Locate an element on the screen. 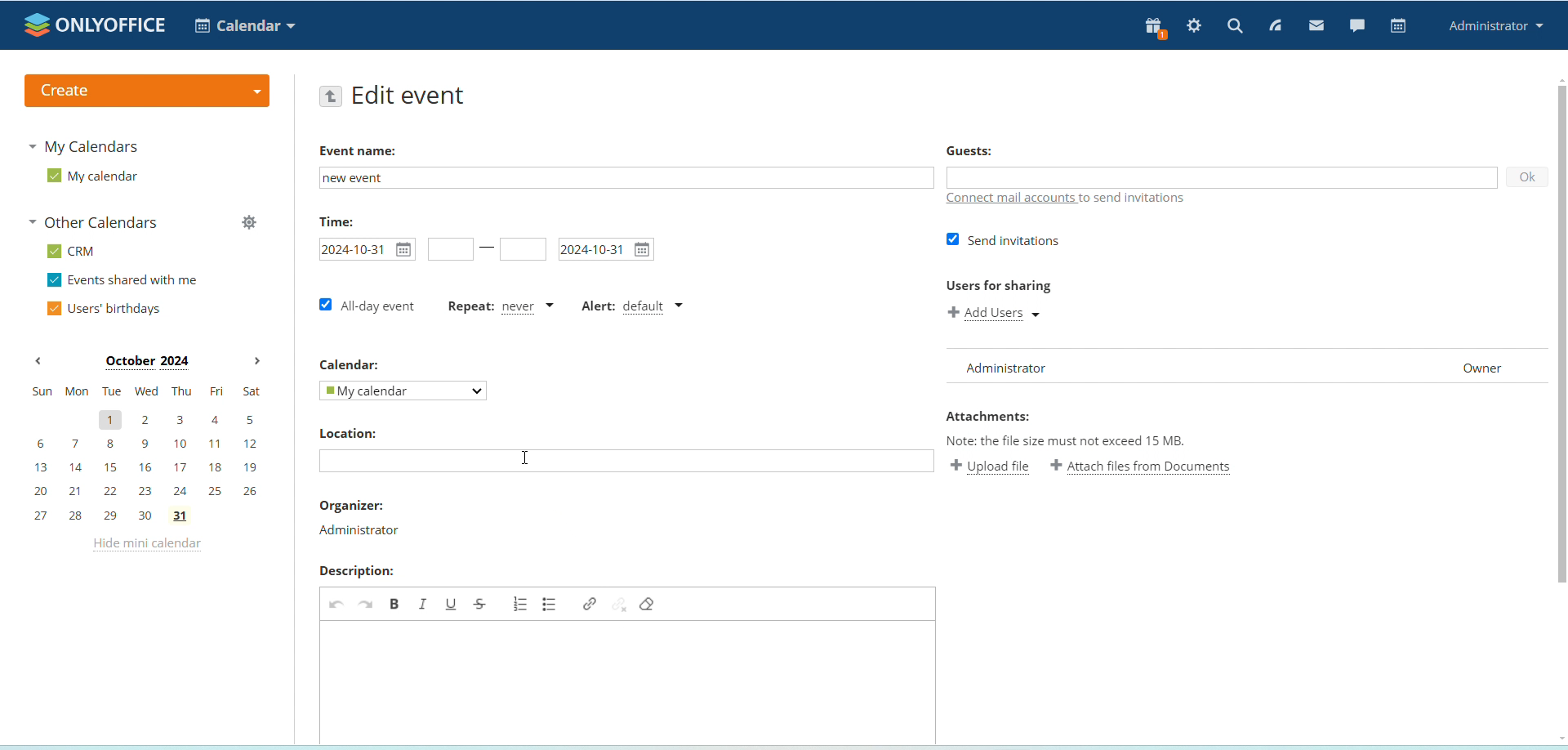 Image resolution: width=1568 pixels, height=750 pixels. Note: the file size must not exceed 15 mb is located at coordinates (1067, 440).